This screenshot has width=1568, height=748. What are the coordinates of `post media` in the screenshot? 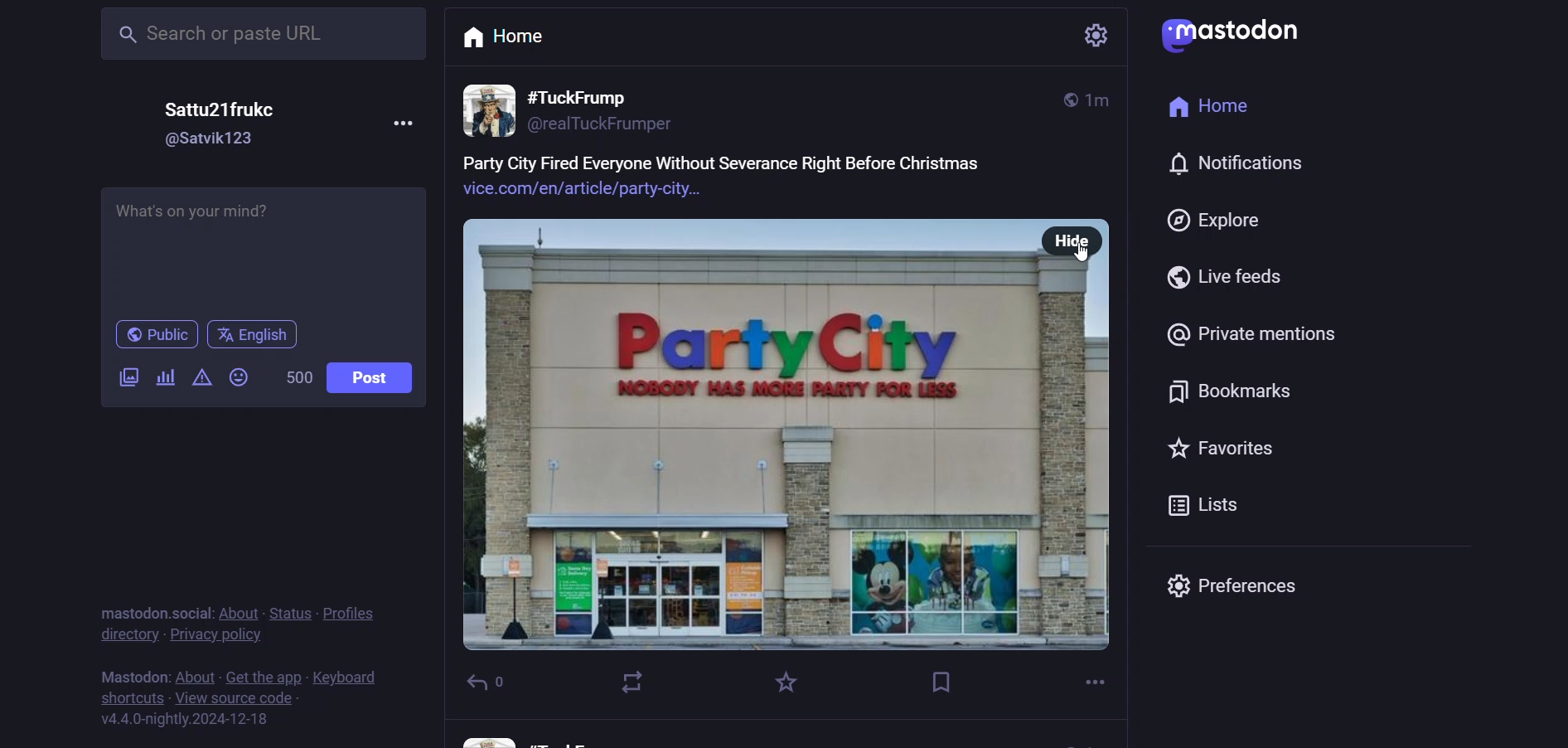 It's located at (753, 434).